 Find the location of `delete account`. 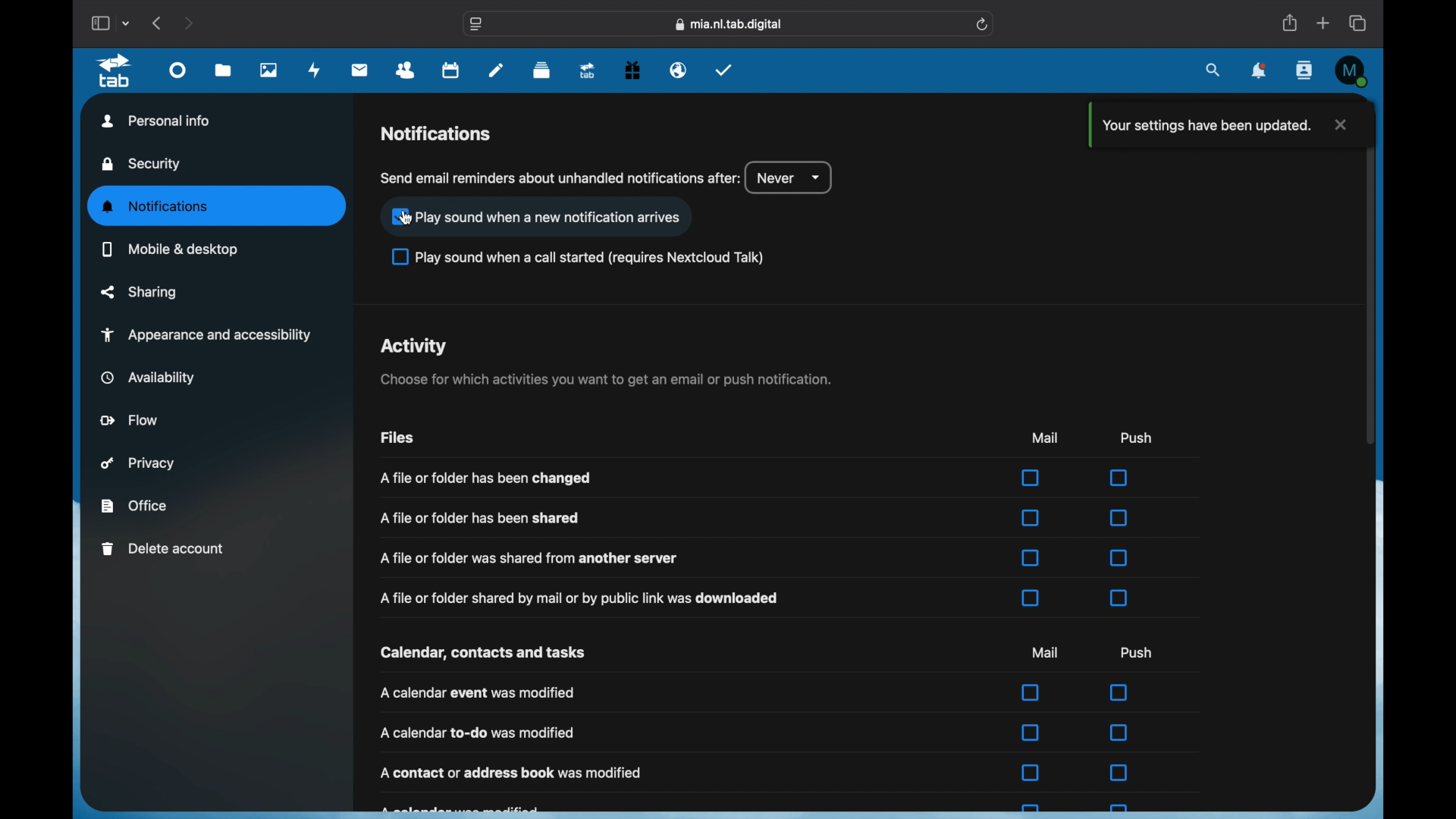

delete account is located at coordinates (164, 549).